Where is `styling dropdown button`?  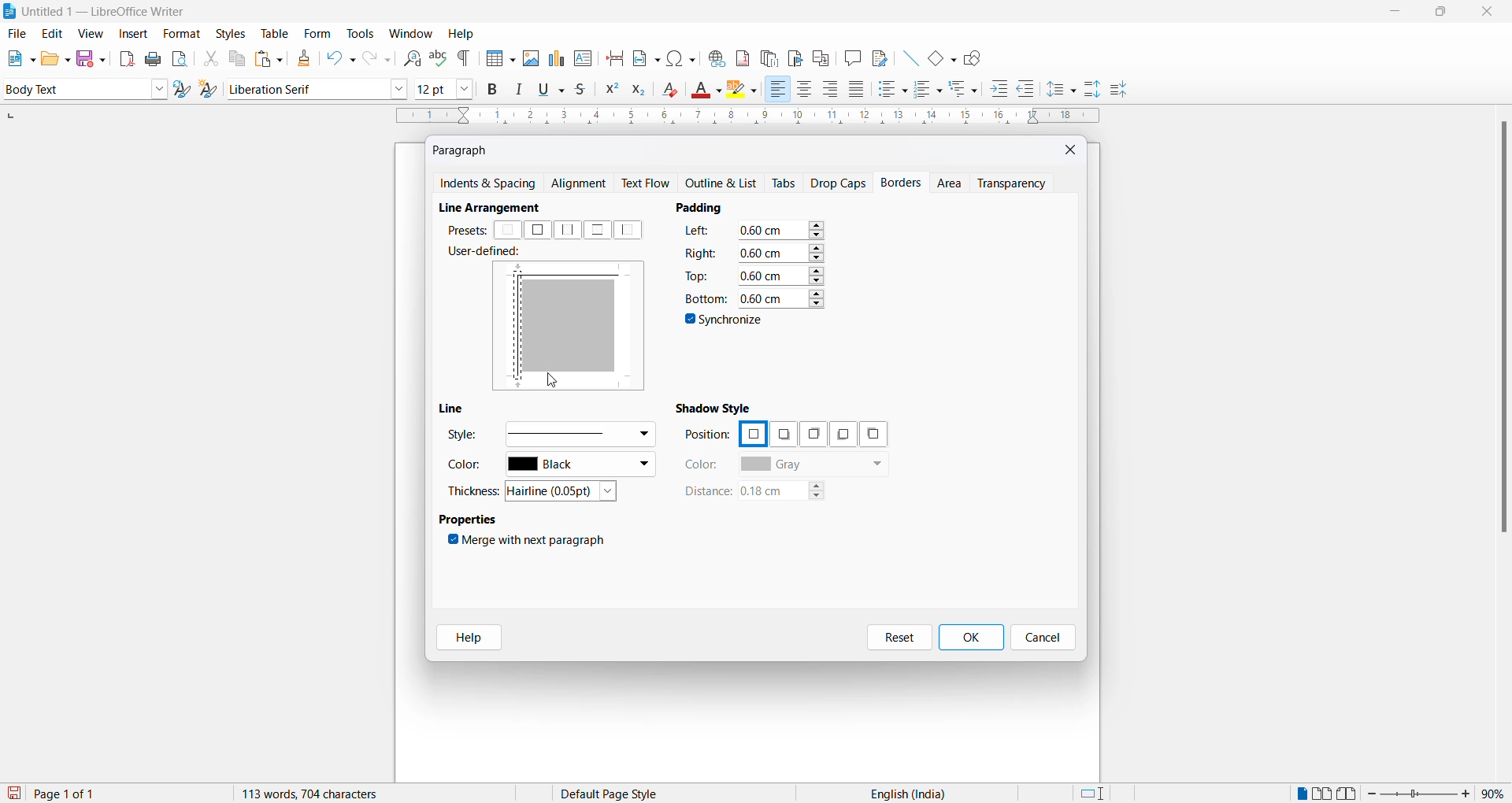 styling dropdown button is located at coordinates (159, 90).